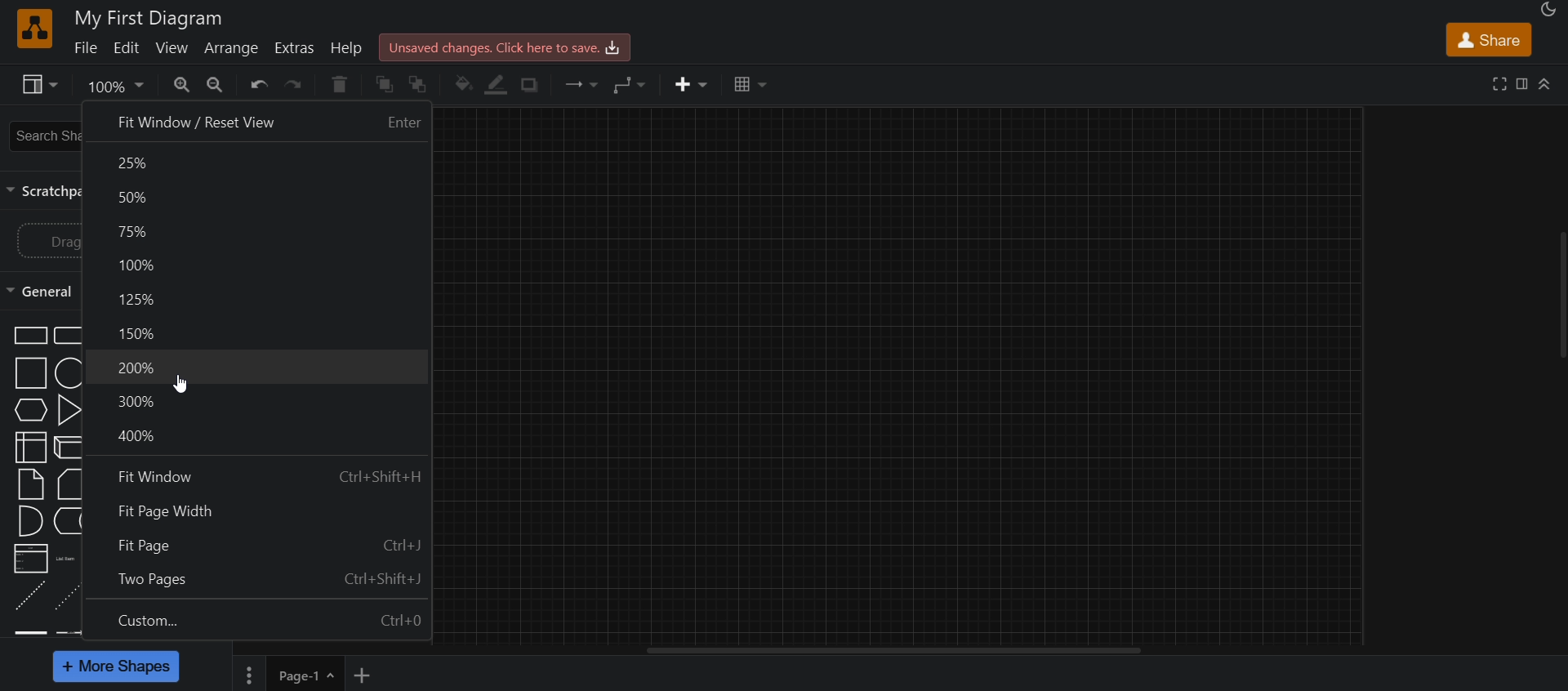  Describe the element at coordinates (1550, 83) in the screenshot. I see `collapse/expand` at that location.